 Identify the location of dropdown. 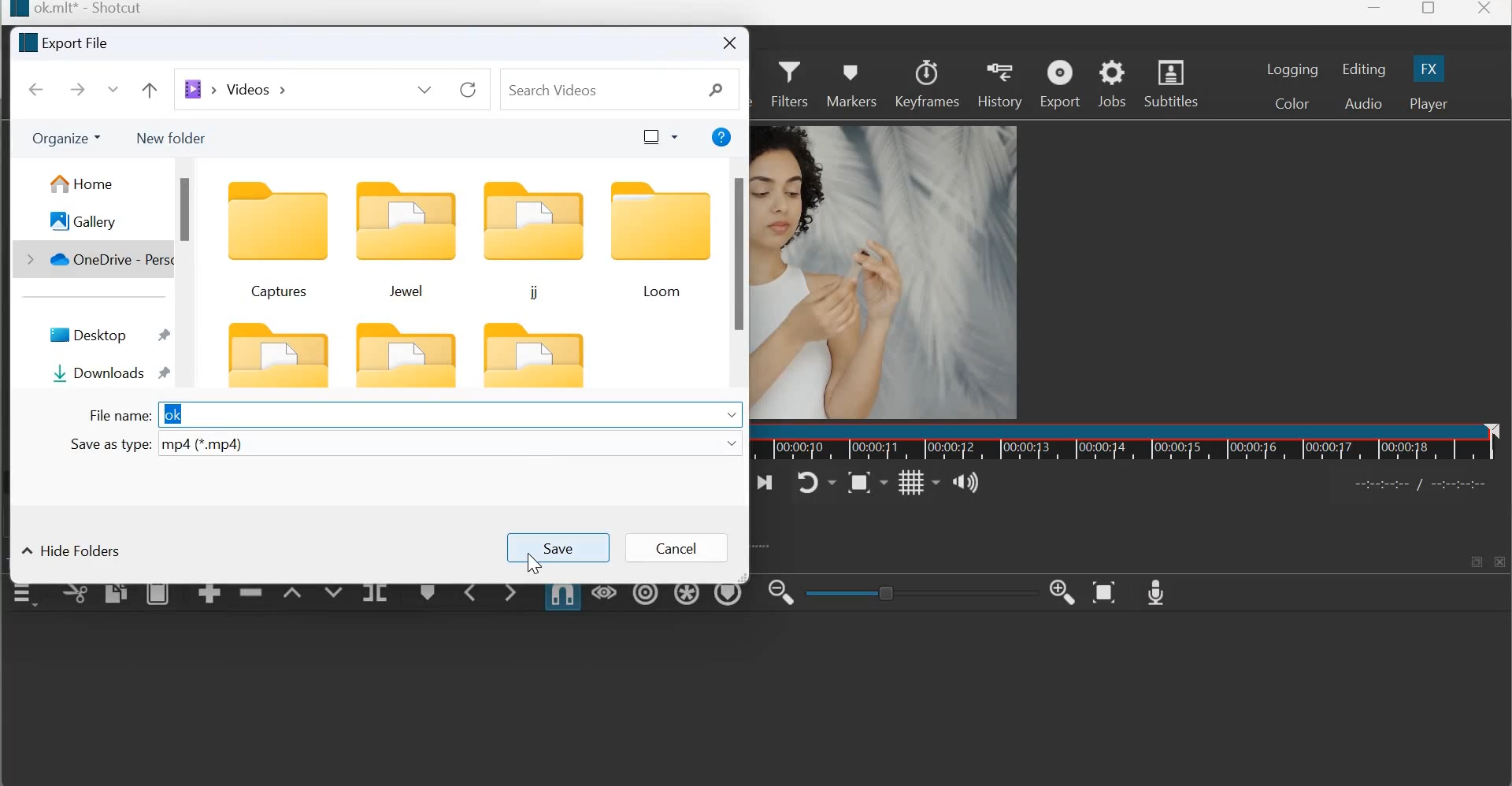
(732, 446).